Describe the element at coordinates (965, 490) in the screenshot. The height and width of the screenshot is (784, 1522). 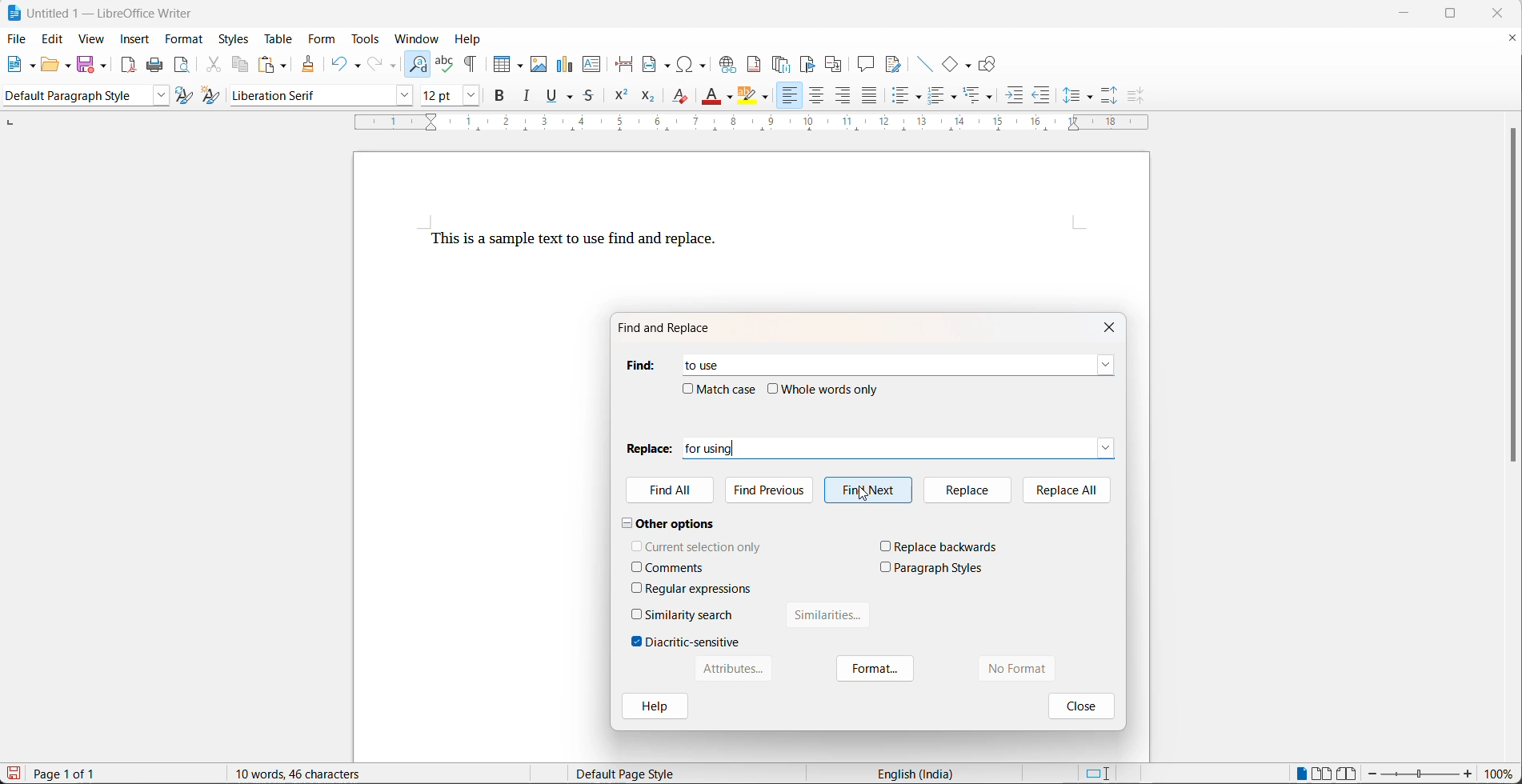
I see `replace` at that location.